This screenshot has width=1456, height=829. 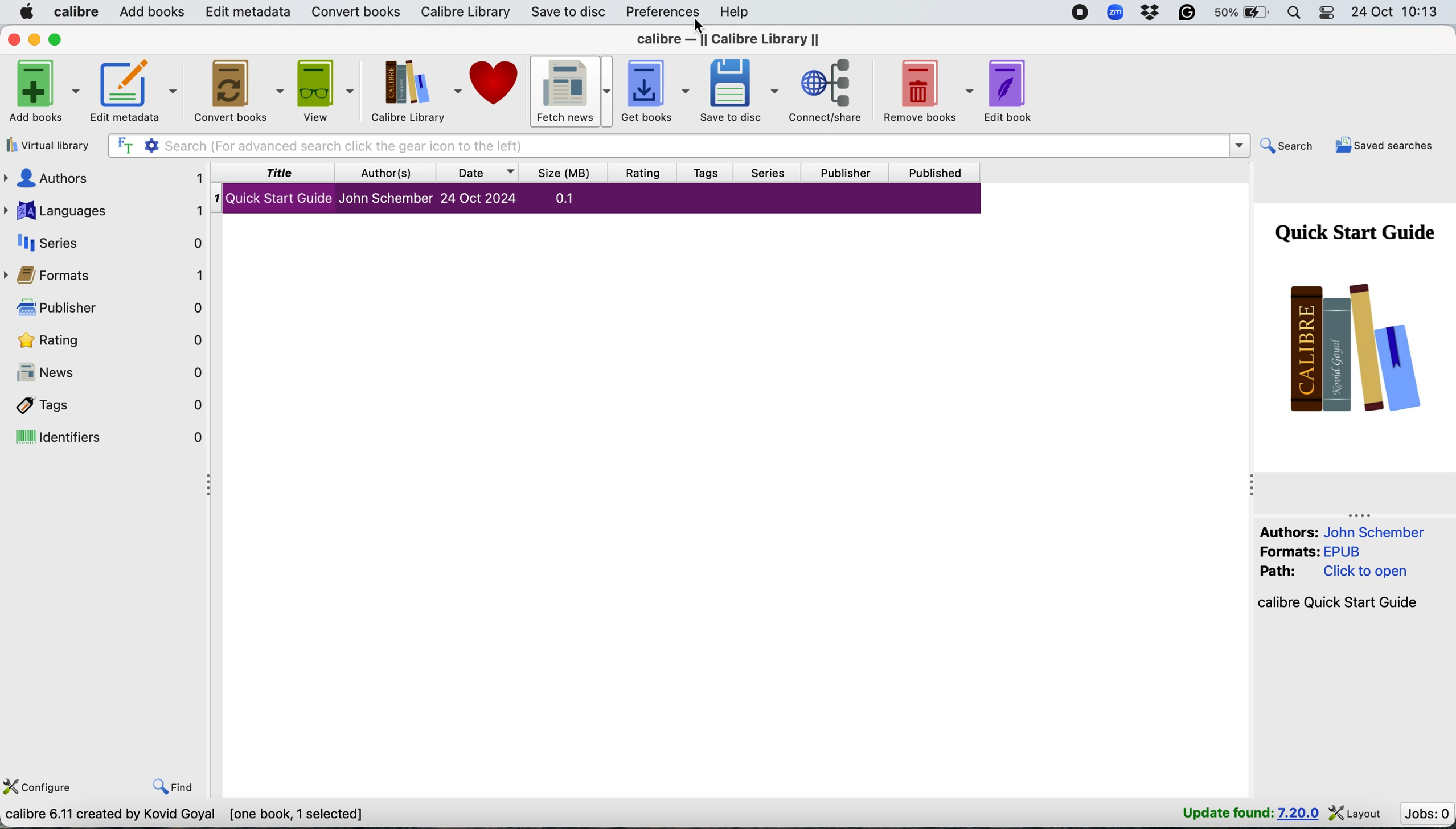 I want to click on dropbox, so click(x=1149, y=13).